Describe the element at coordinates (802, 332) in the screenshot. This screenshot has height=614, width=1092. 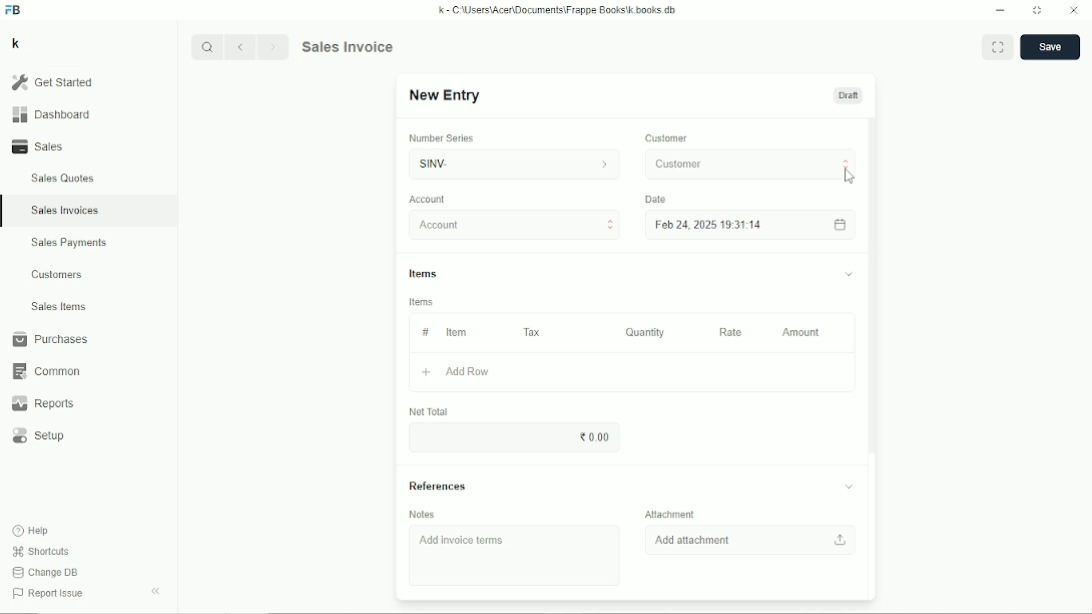
I see `Amount` at that location.